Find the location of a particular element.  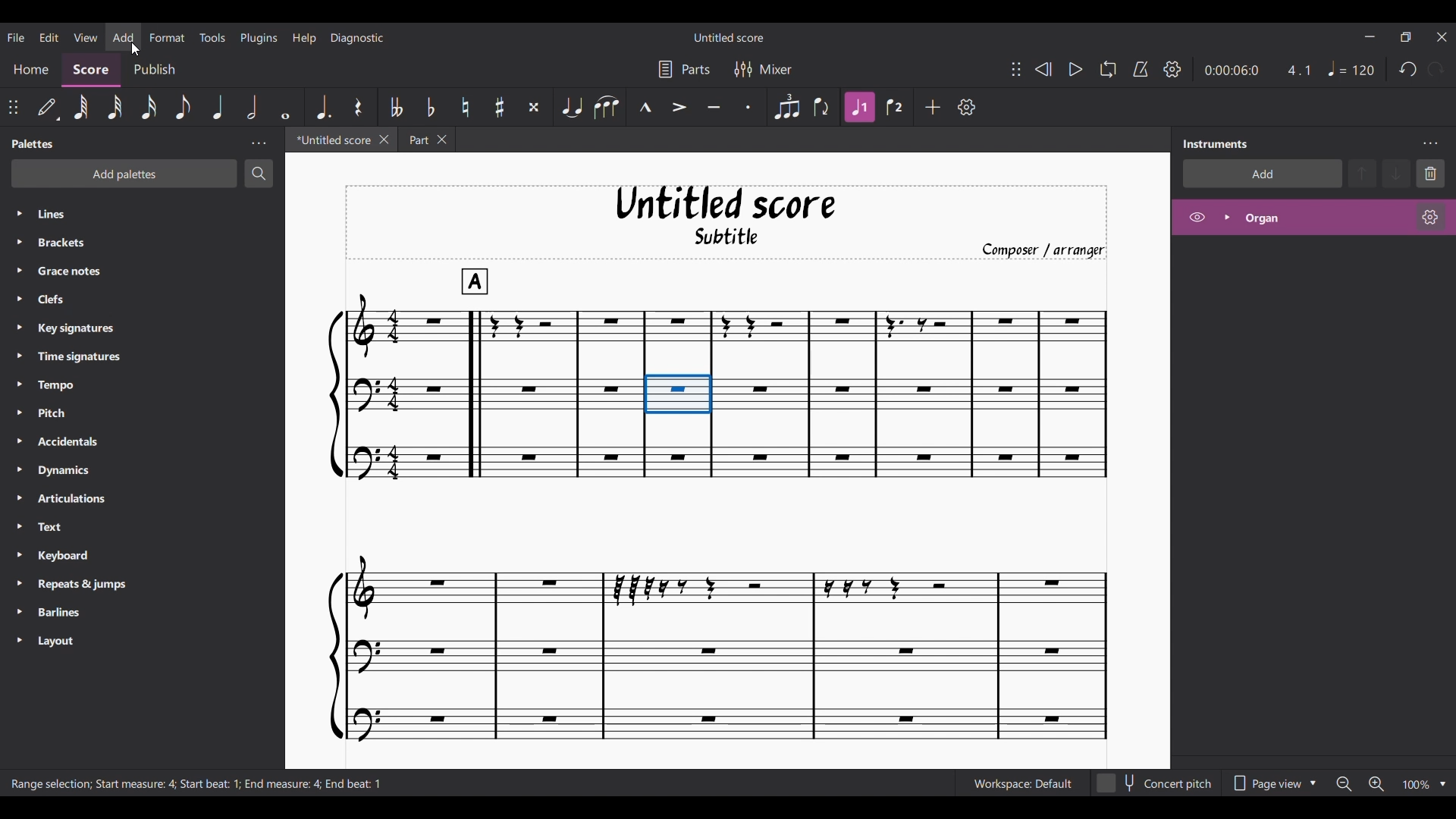

Add menu is located at coordinates (123, 35).